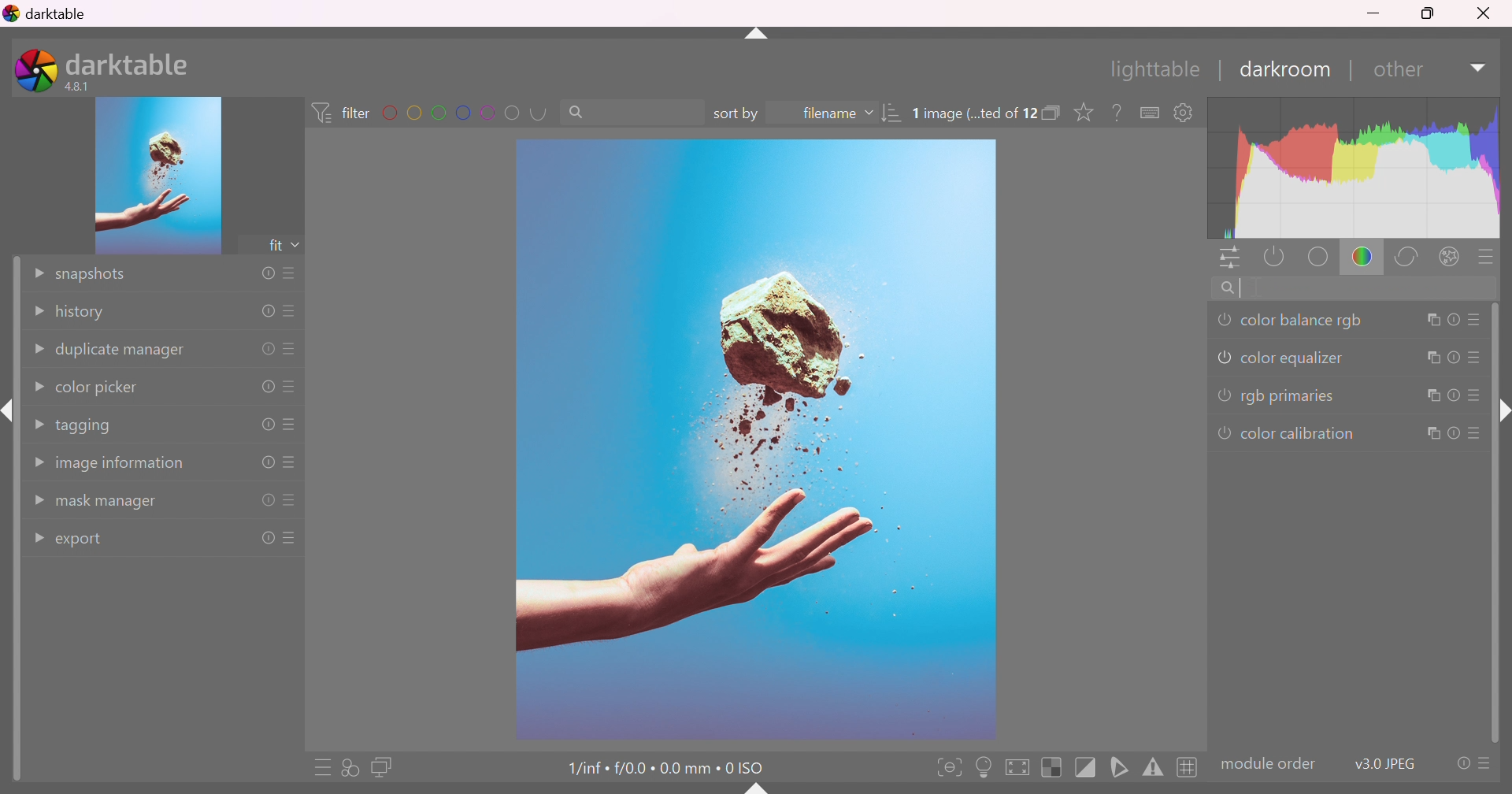 This screenshot has height=794, width=1512. I want to click on toggle ISO 12646 color assessment conditions, so click(985, 766).